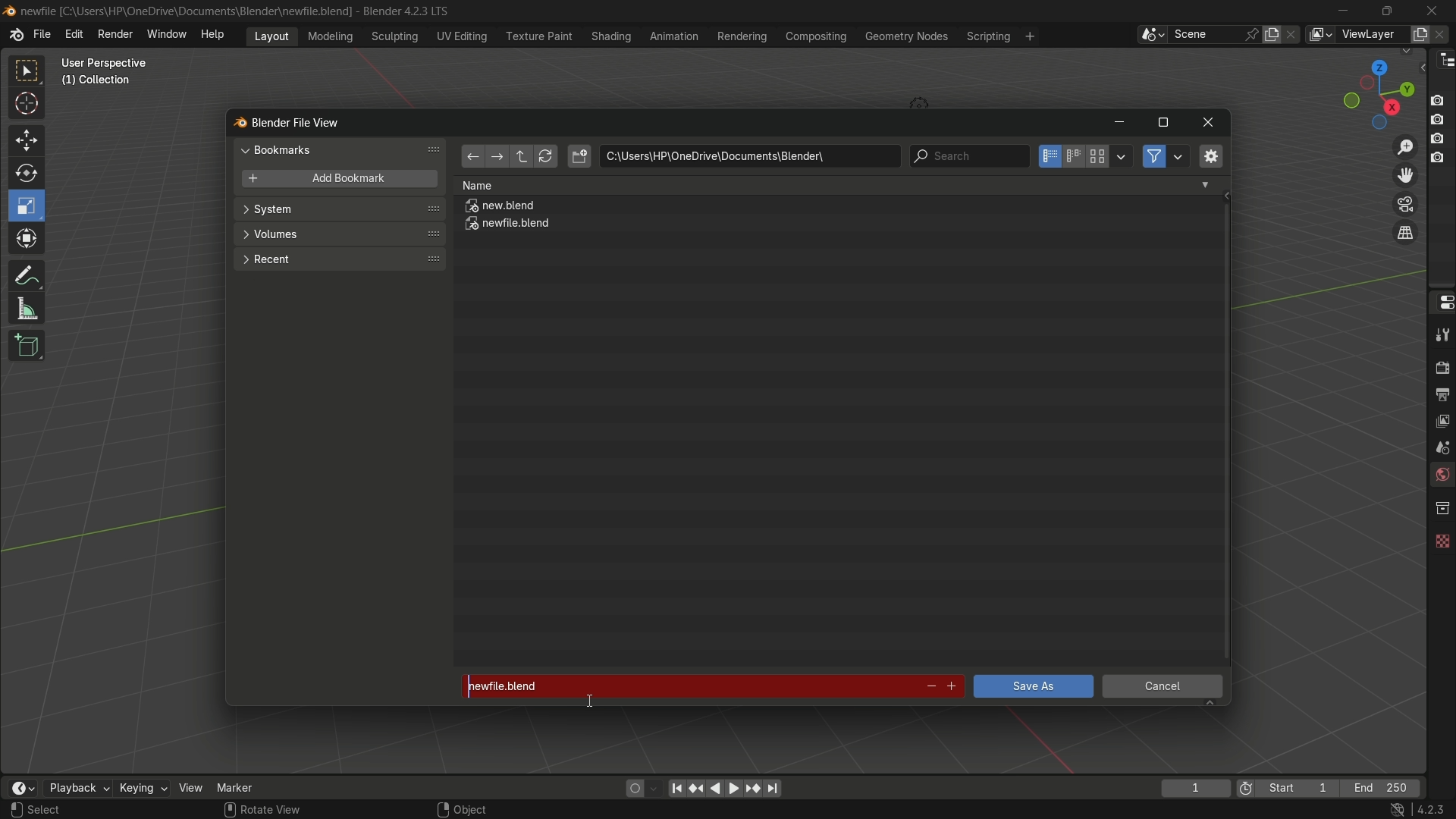  I want to click on geometry nodes menu, so click(905, 36).